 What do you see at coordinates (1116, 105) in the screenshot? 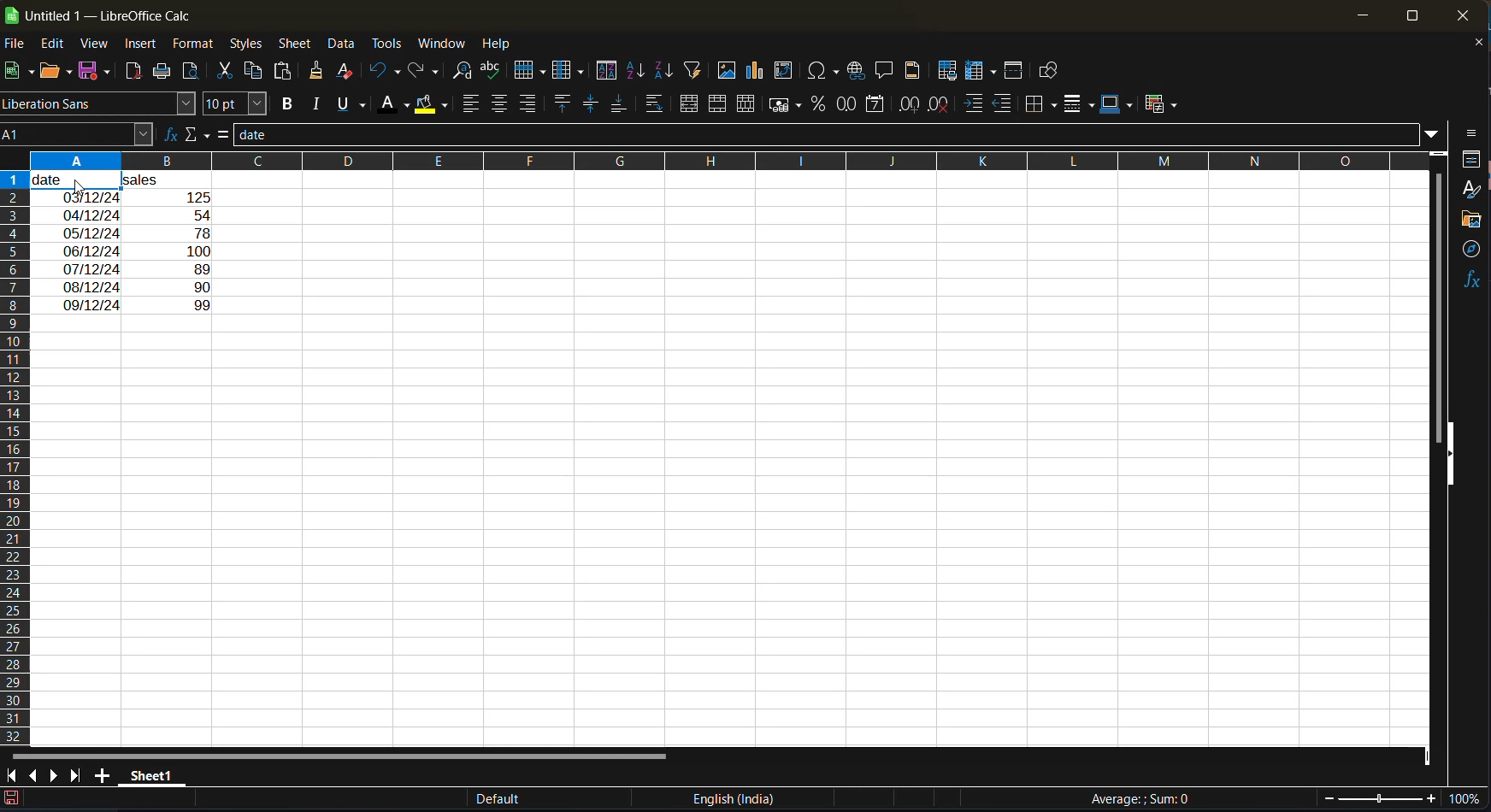
I see `border color` at bounding box center [1116, 105].